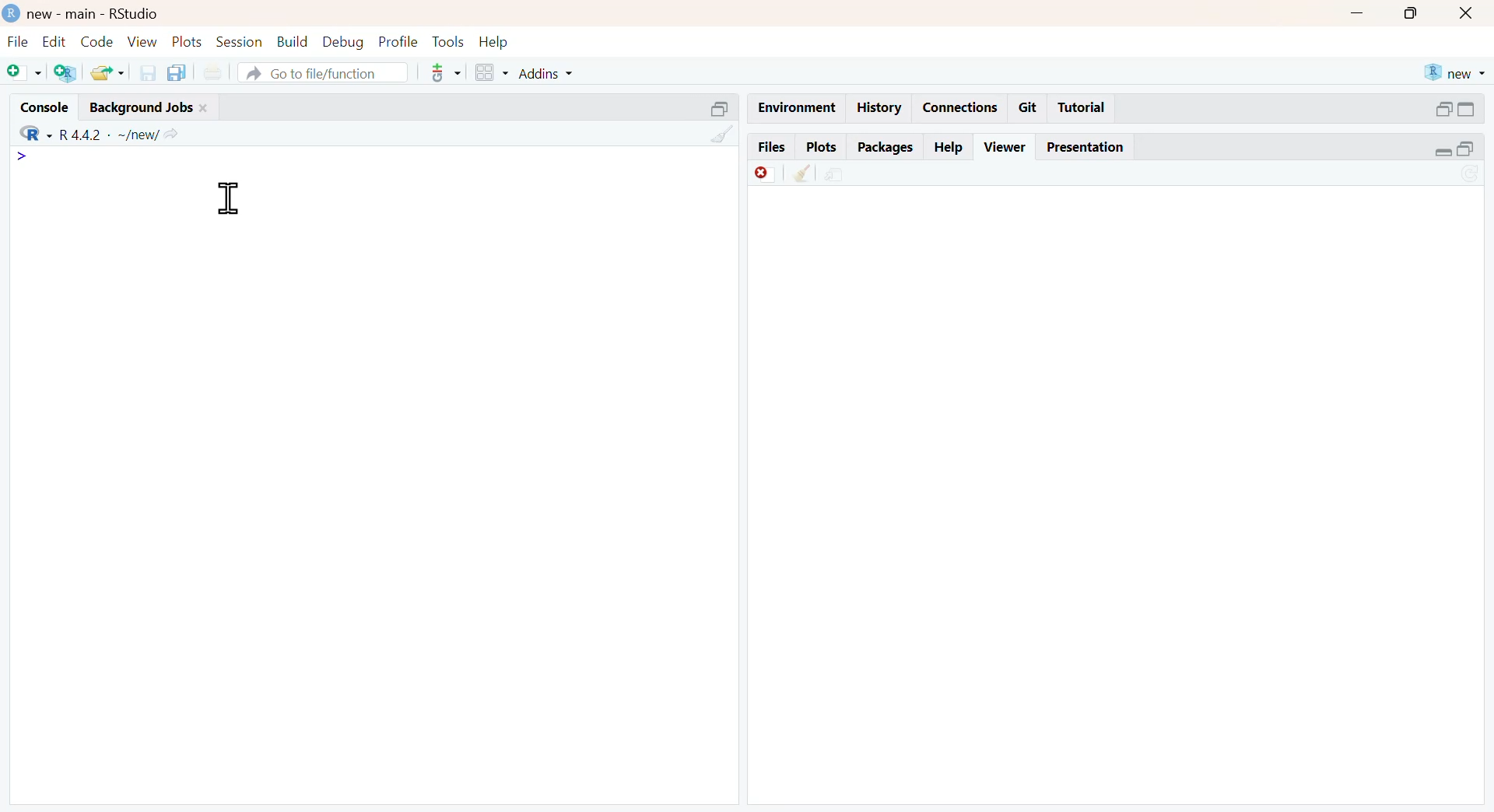  I want to click on connections, so click(962, 108).